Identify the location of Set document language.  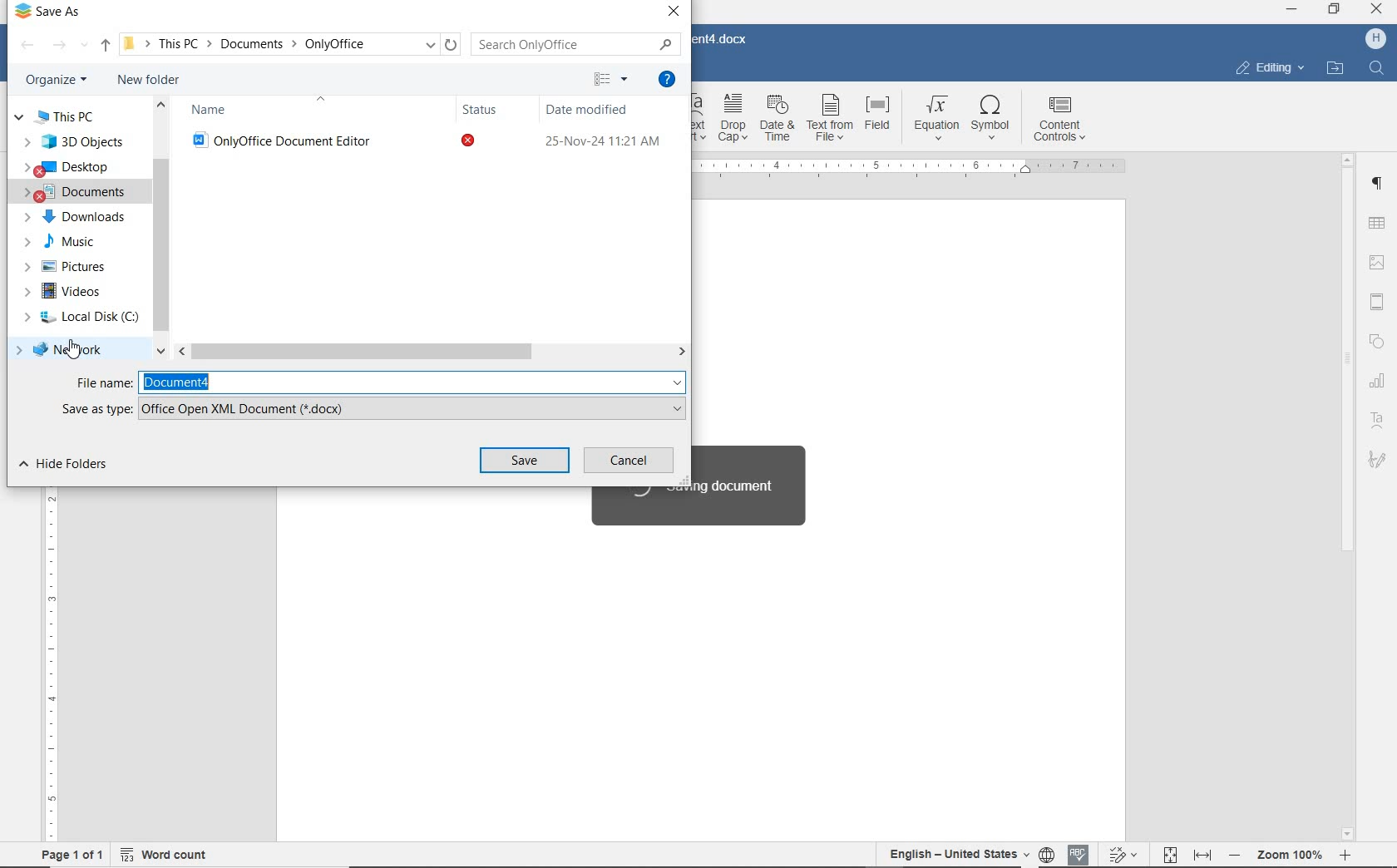
(1044, 852).